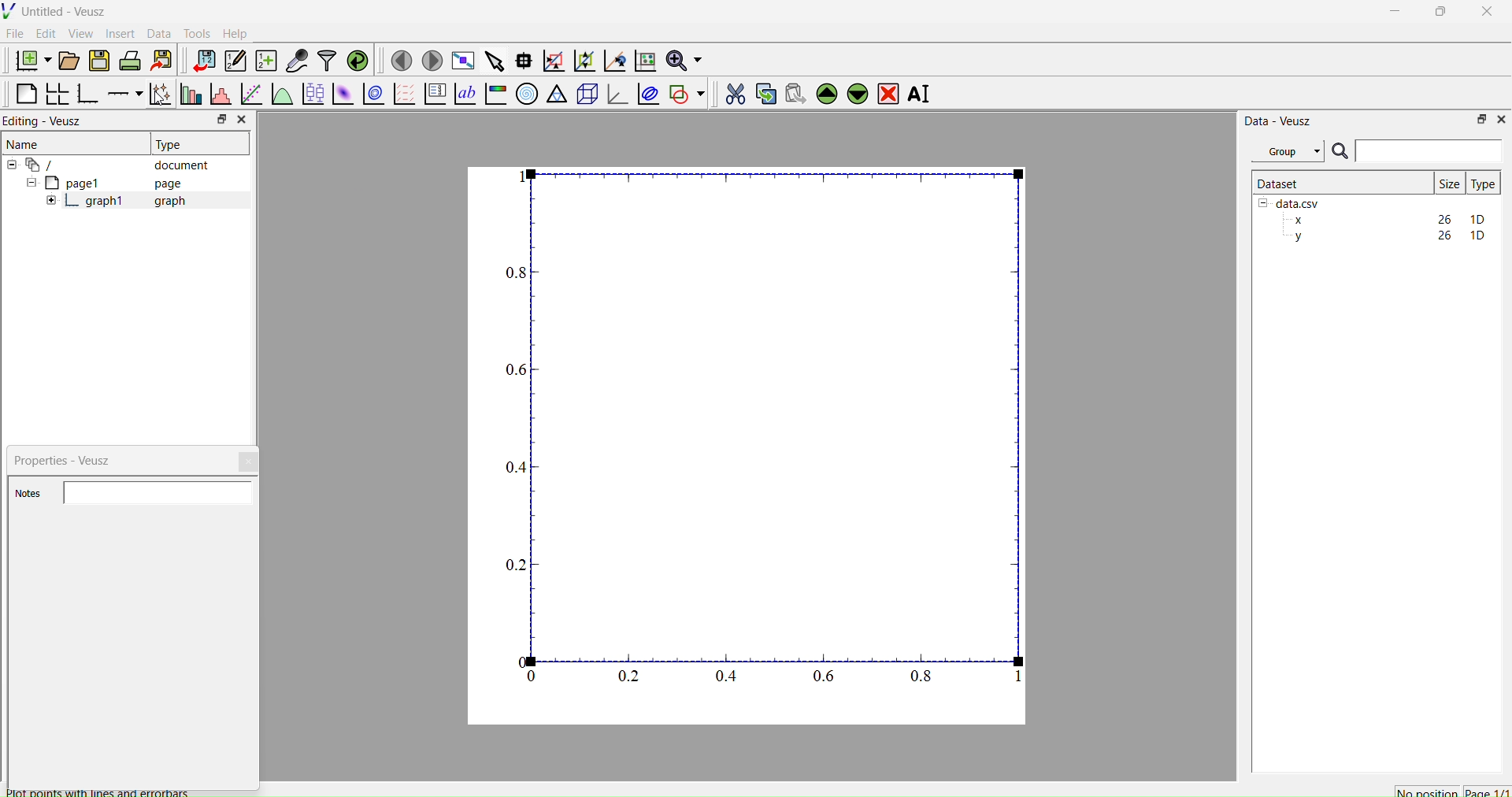 The width and height of the screenshot is (1512, 797). Describe the element at coordinates (1449, 182) in the screenshot. I see `| Size` at that location.